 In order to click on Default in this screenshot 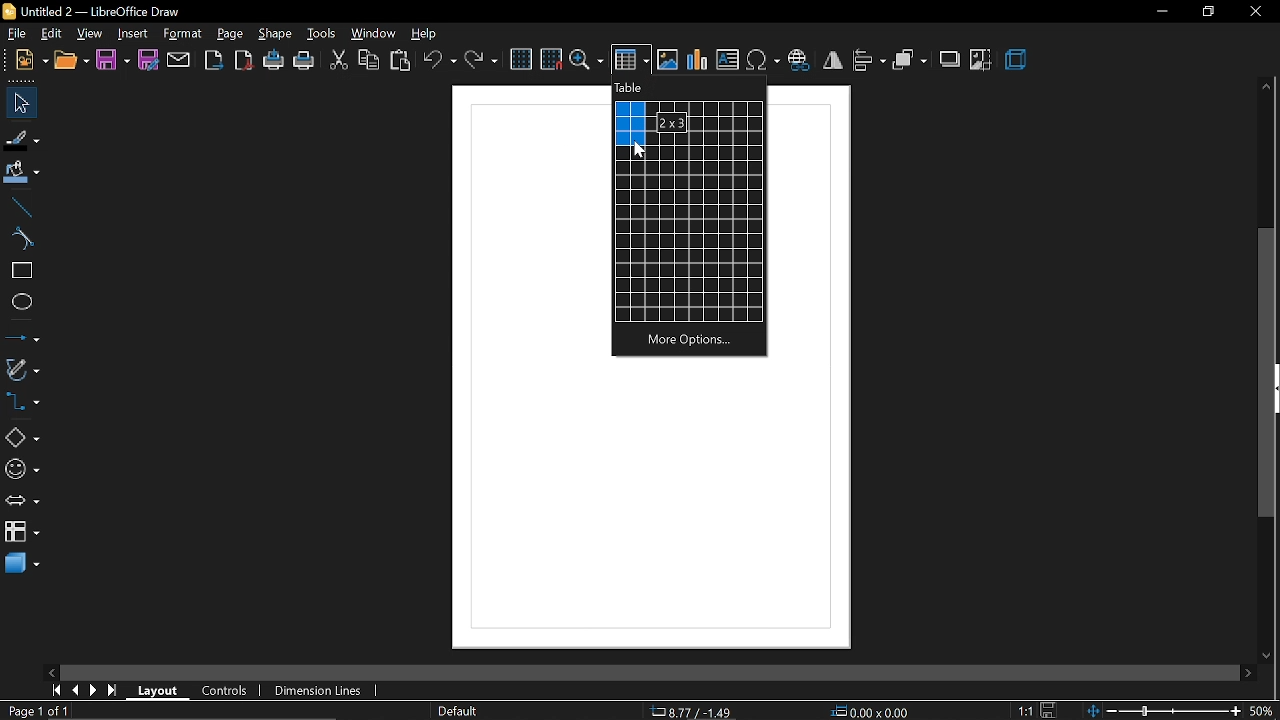, I will do `click(458, 710)`.